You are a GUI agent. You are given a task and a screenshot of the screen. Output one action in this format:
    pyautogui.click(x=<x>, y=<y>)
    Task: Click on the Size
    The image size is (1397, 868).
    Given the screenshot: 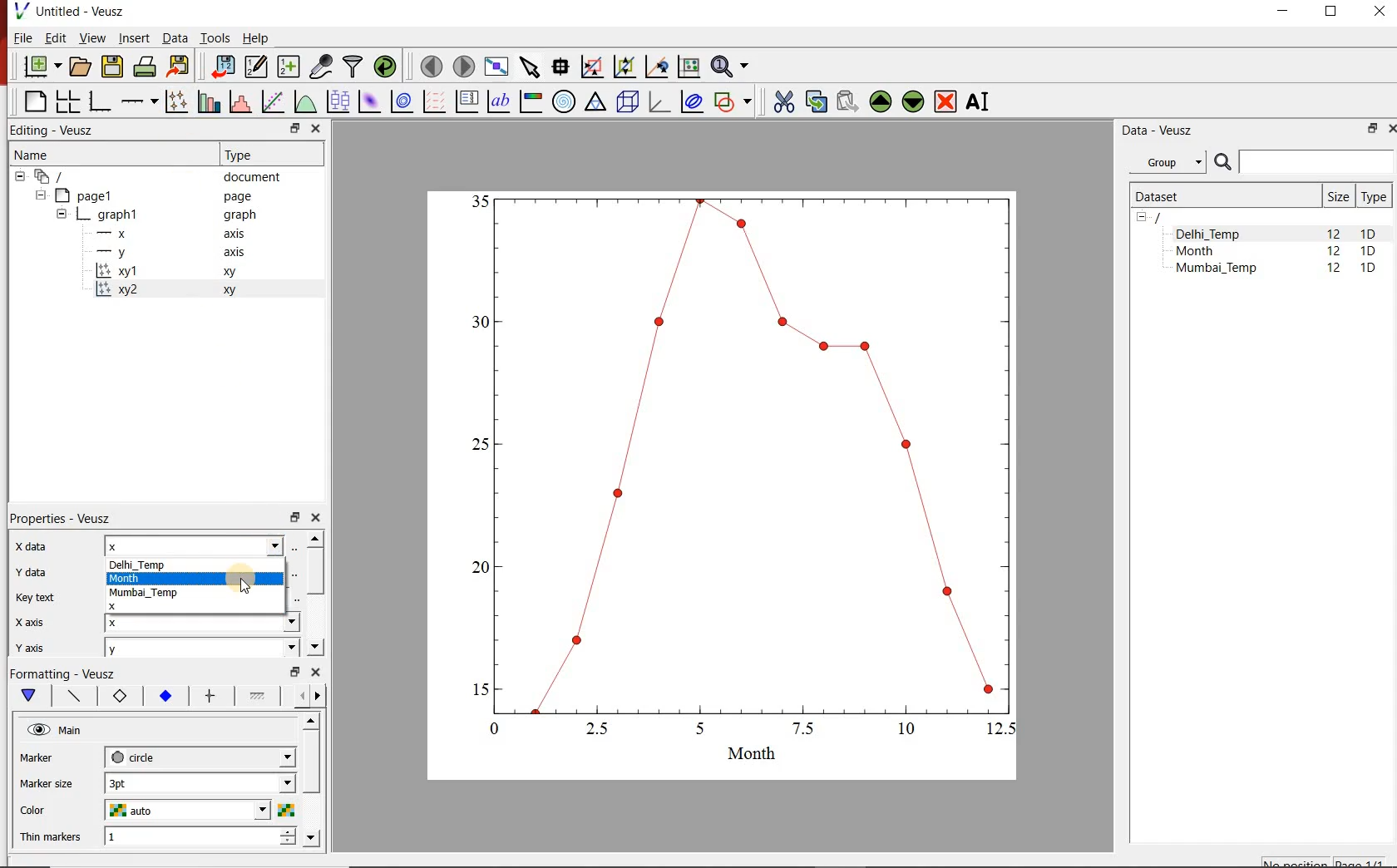 What is the action you would take?
    pyautogui.click(x=1338, y=196)
    